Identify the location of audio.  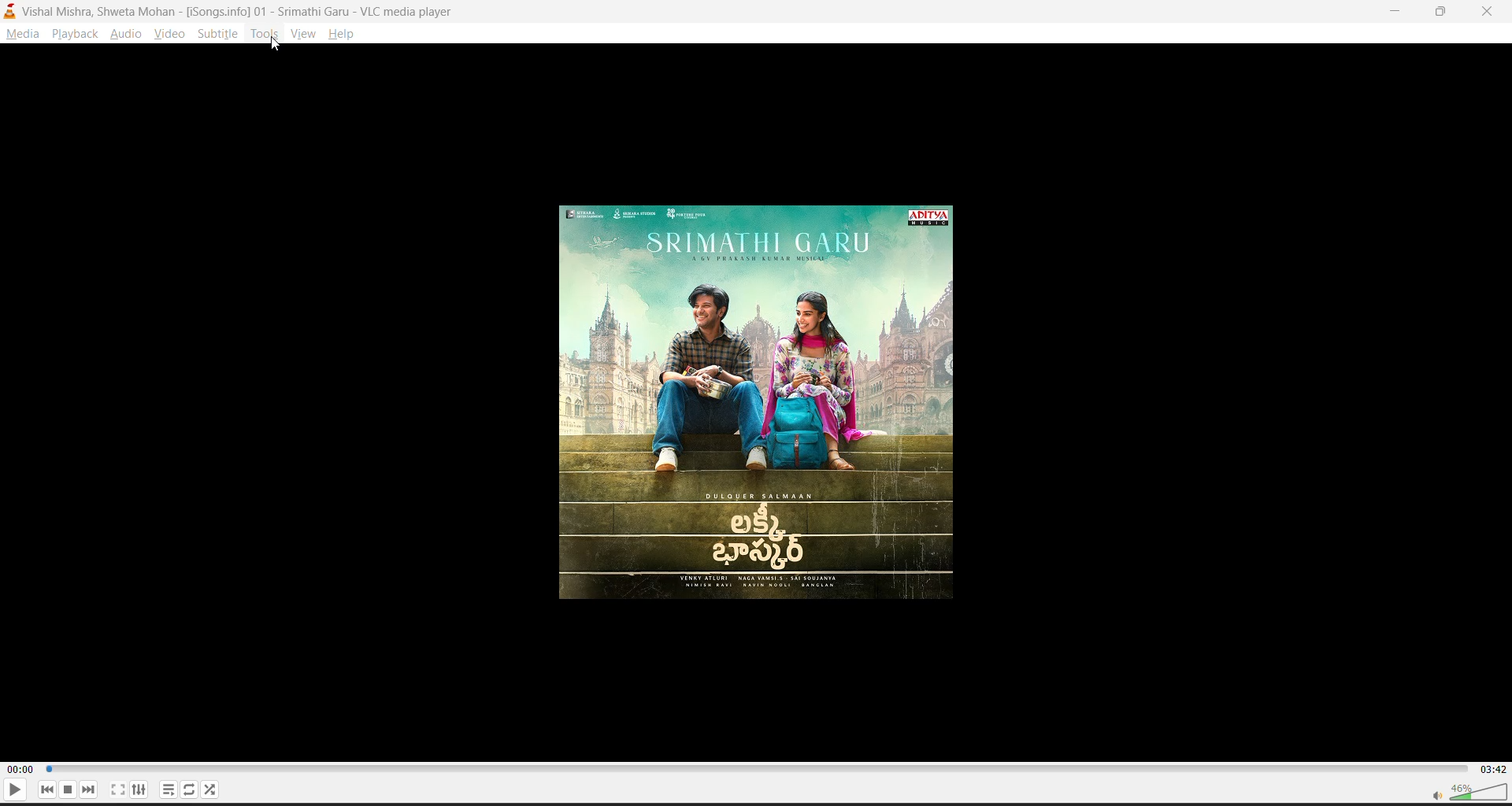
(127, 35).